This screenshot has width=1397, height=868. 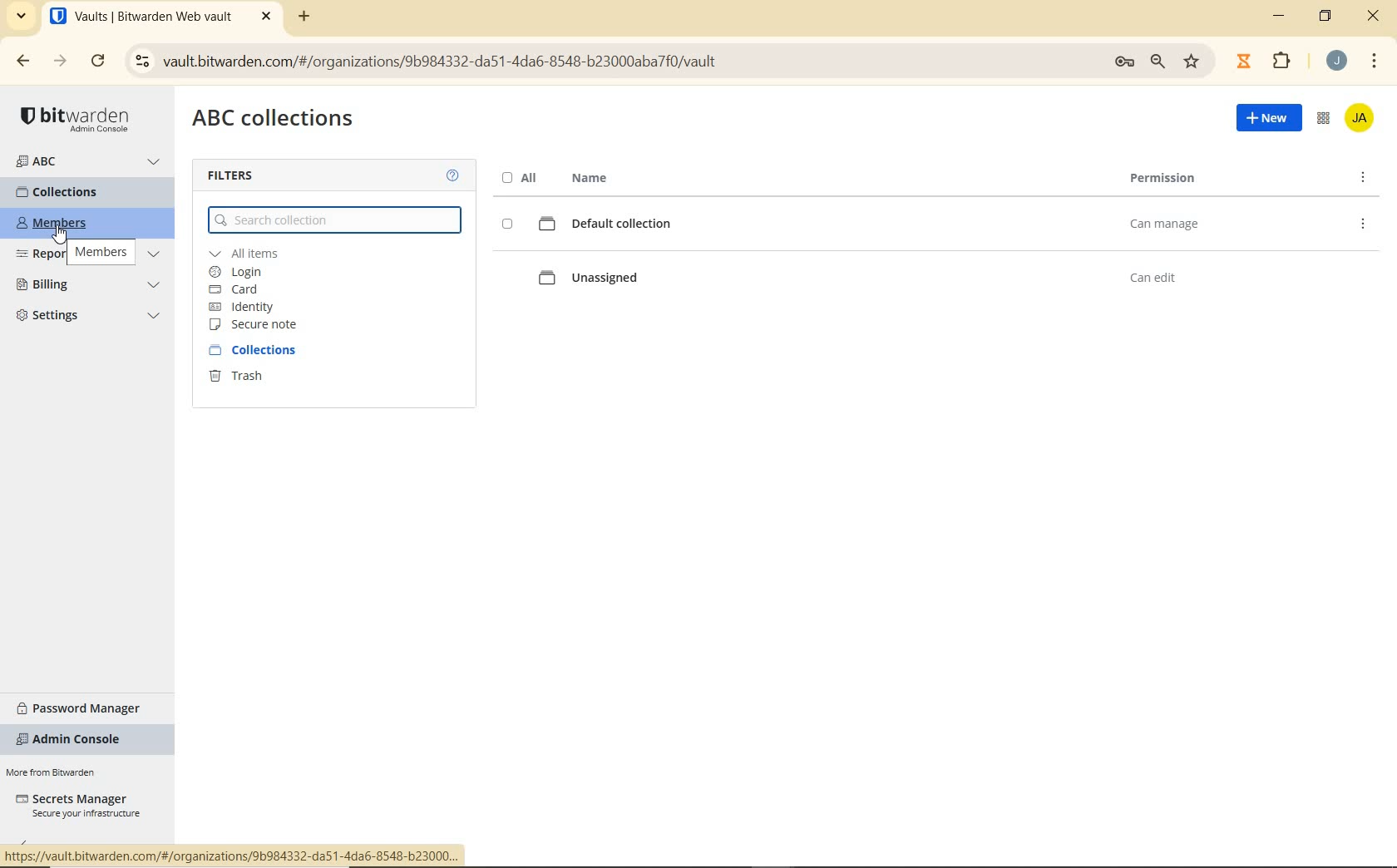 I want to click on FILTERS, so click(x=239, y=175).